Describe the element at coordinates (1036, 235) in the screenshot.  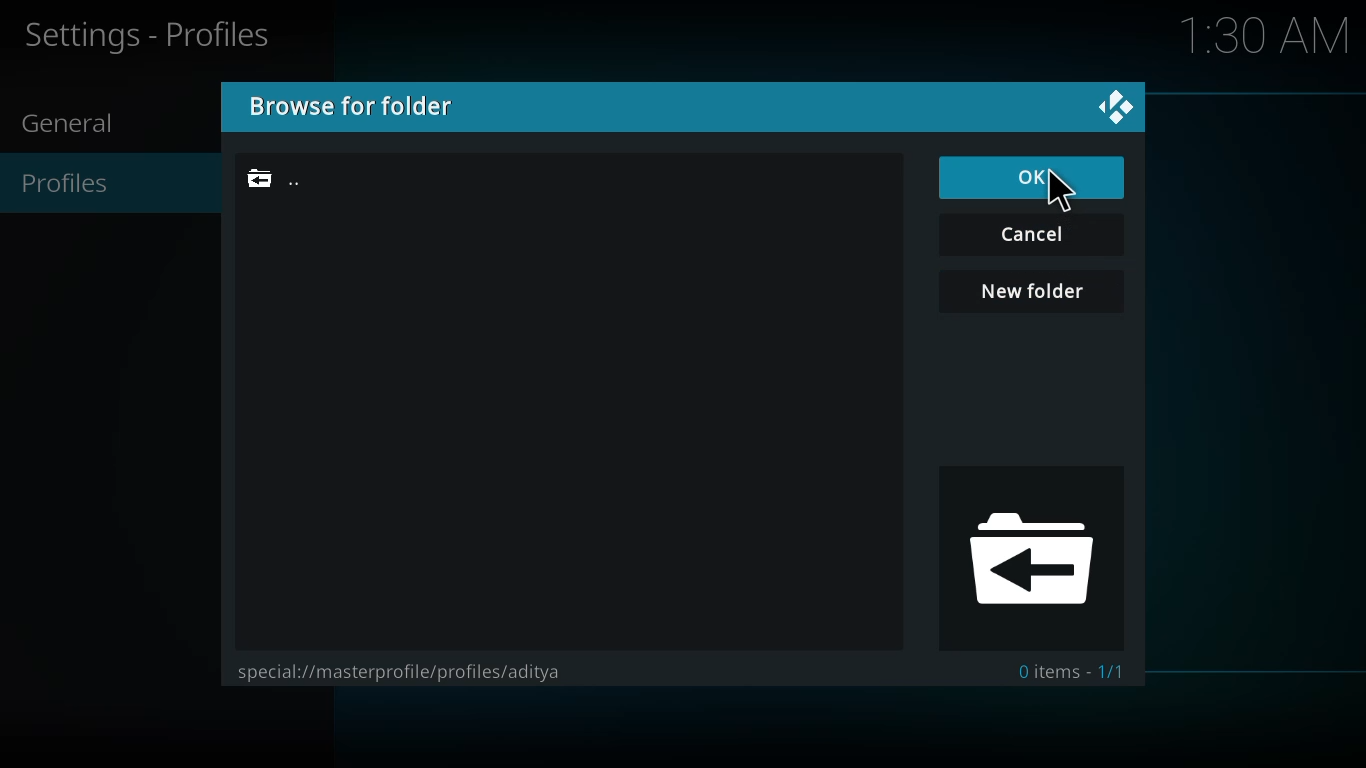
I see `cancel` at that location.